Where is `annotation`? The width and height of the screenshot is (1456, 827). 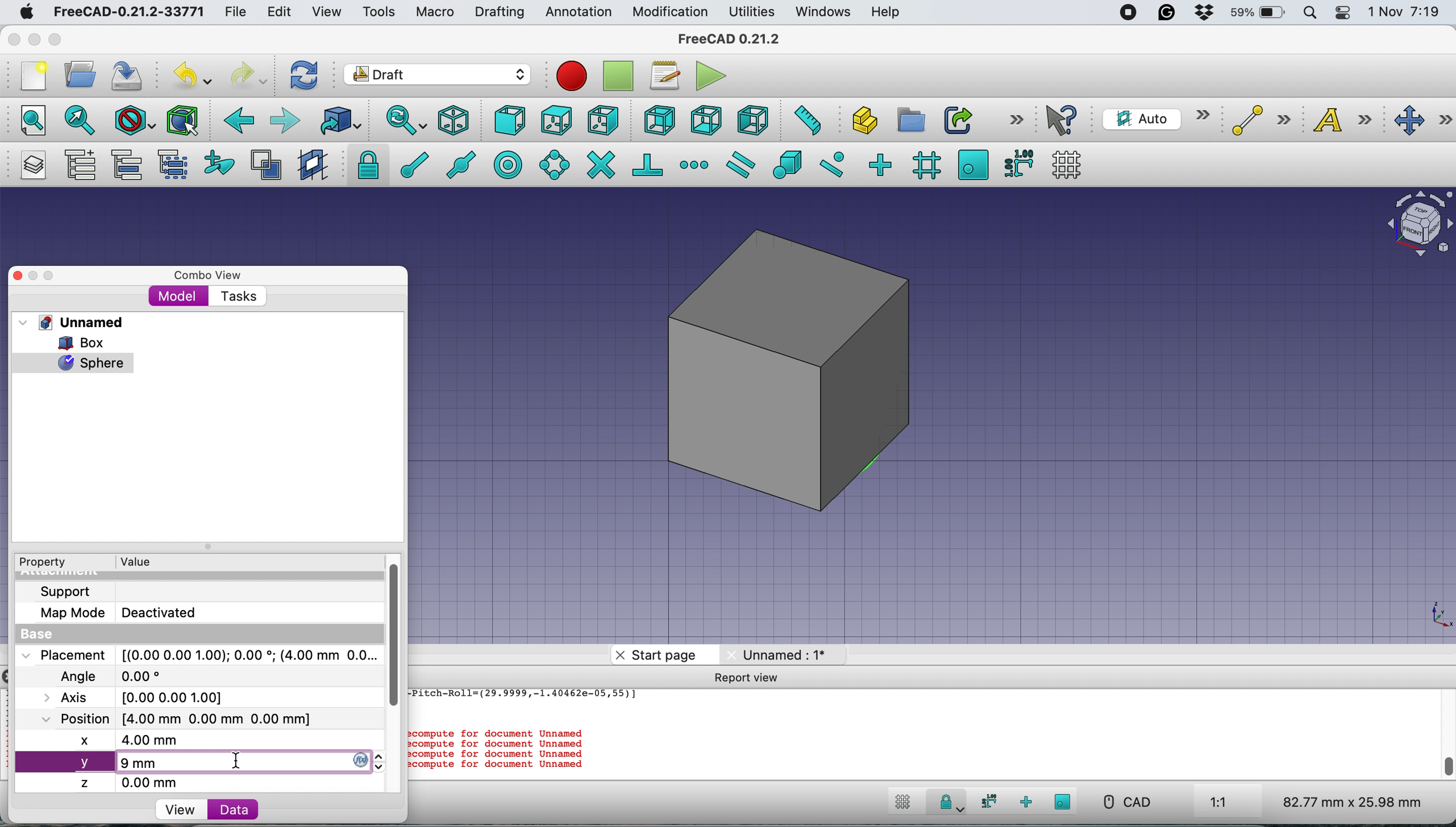 annotation is located at coordinates (576, 12).